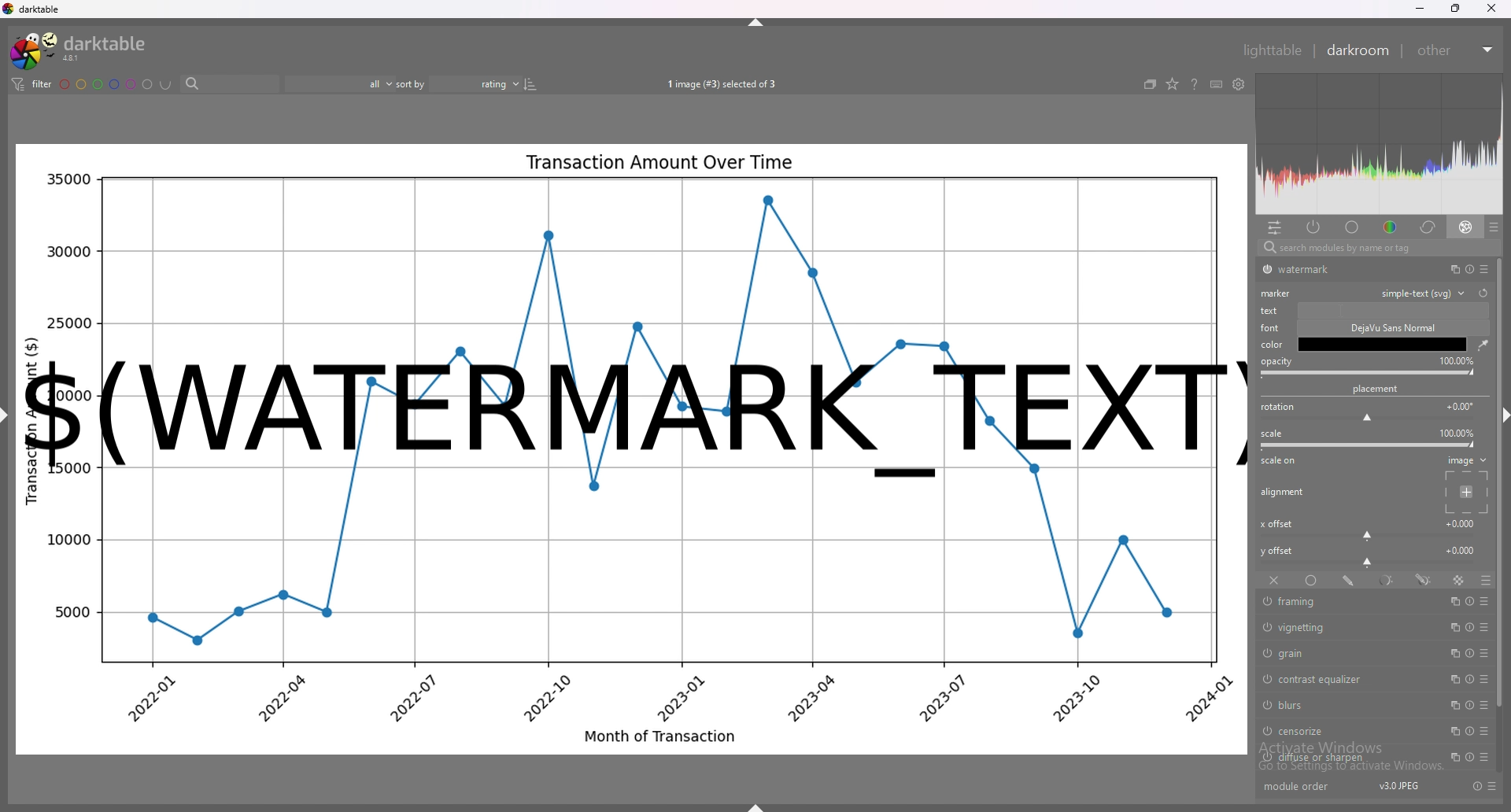 Image resolution: width=1511 pixels, height=812 pixels. What do you see at coordinates (1265, 270) in the screenshot?
I see `switch off` at bounding box center [1265, 270].